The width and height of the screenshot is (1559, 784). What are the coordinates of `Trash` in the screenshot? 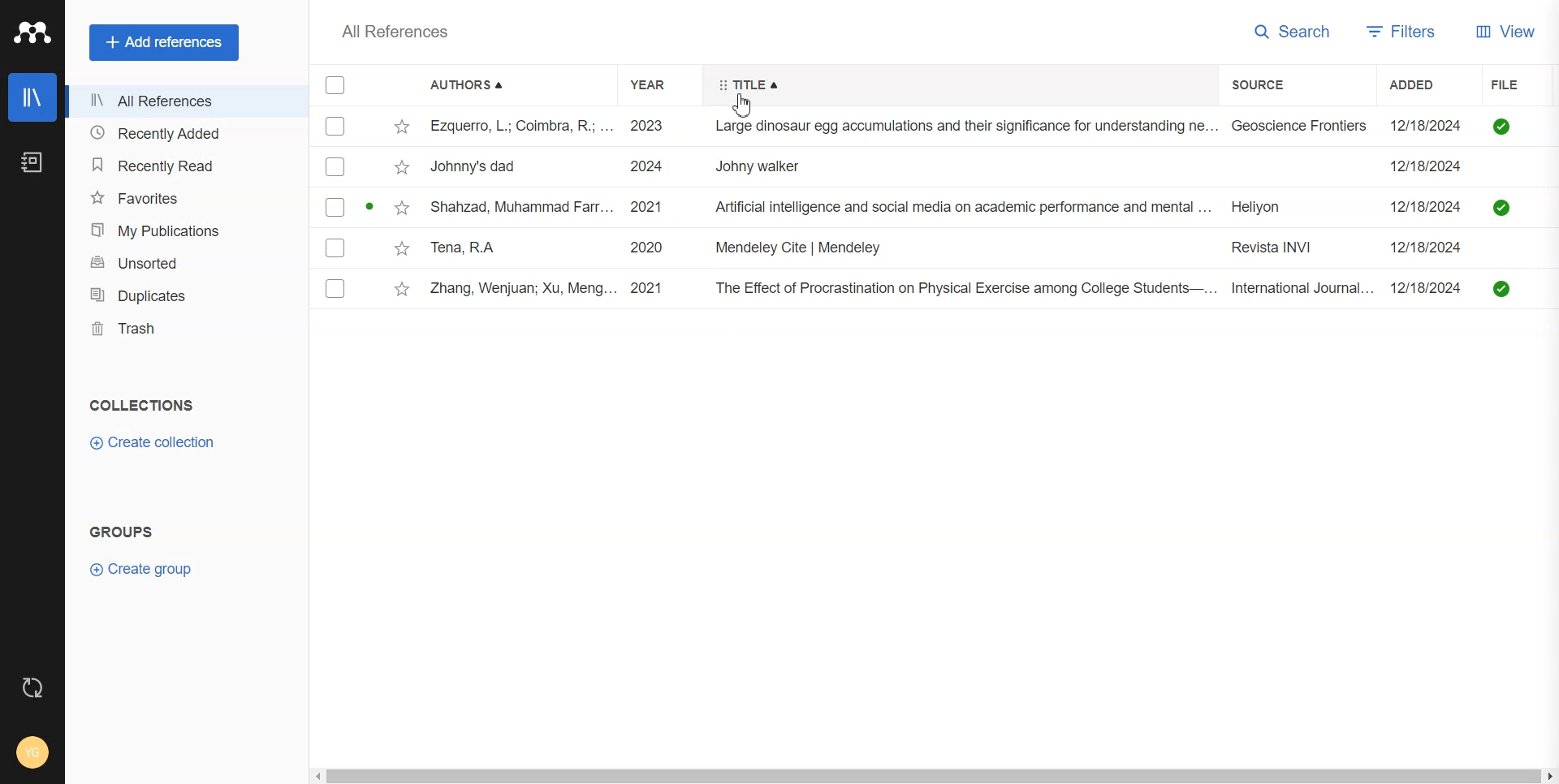 It's located at (186, 329).